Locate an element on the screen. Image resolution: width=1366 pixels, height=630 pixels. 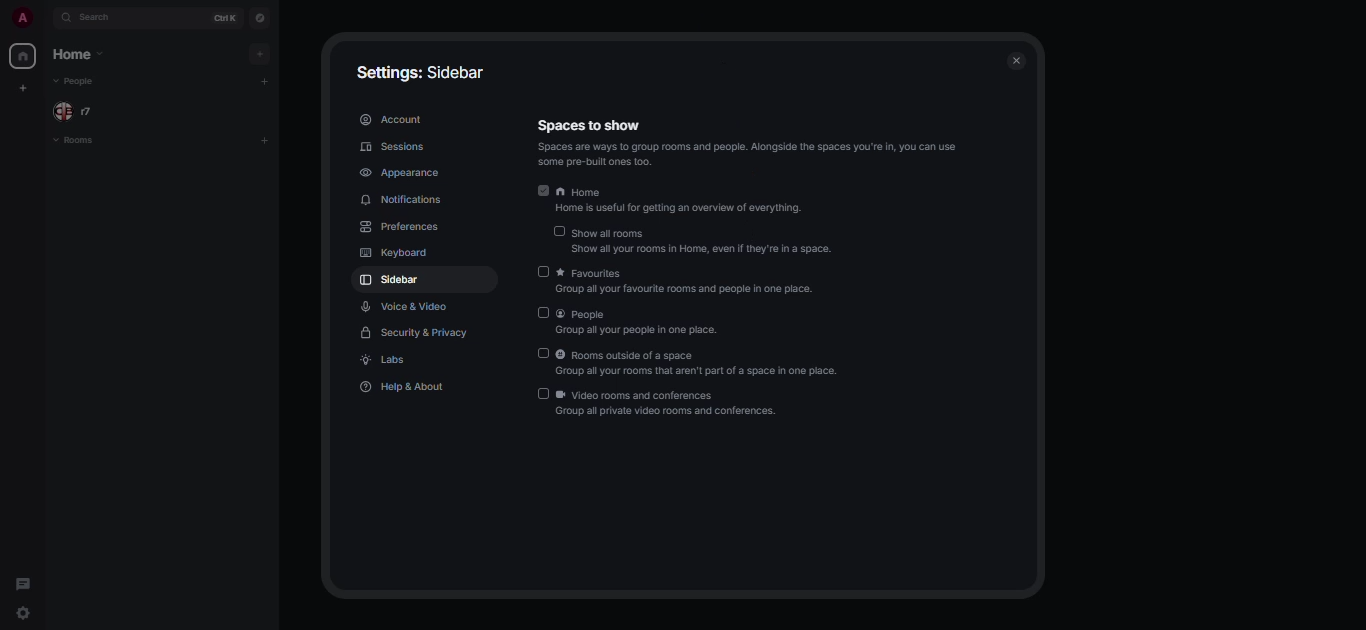
rooms outside of a space is located at coordinates (703, 364).